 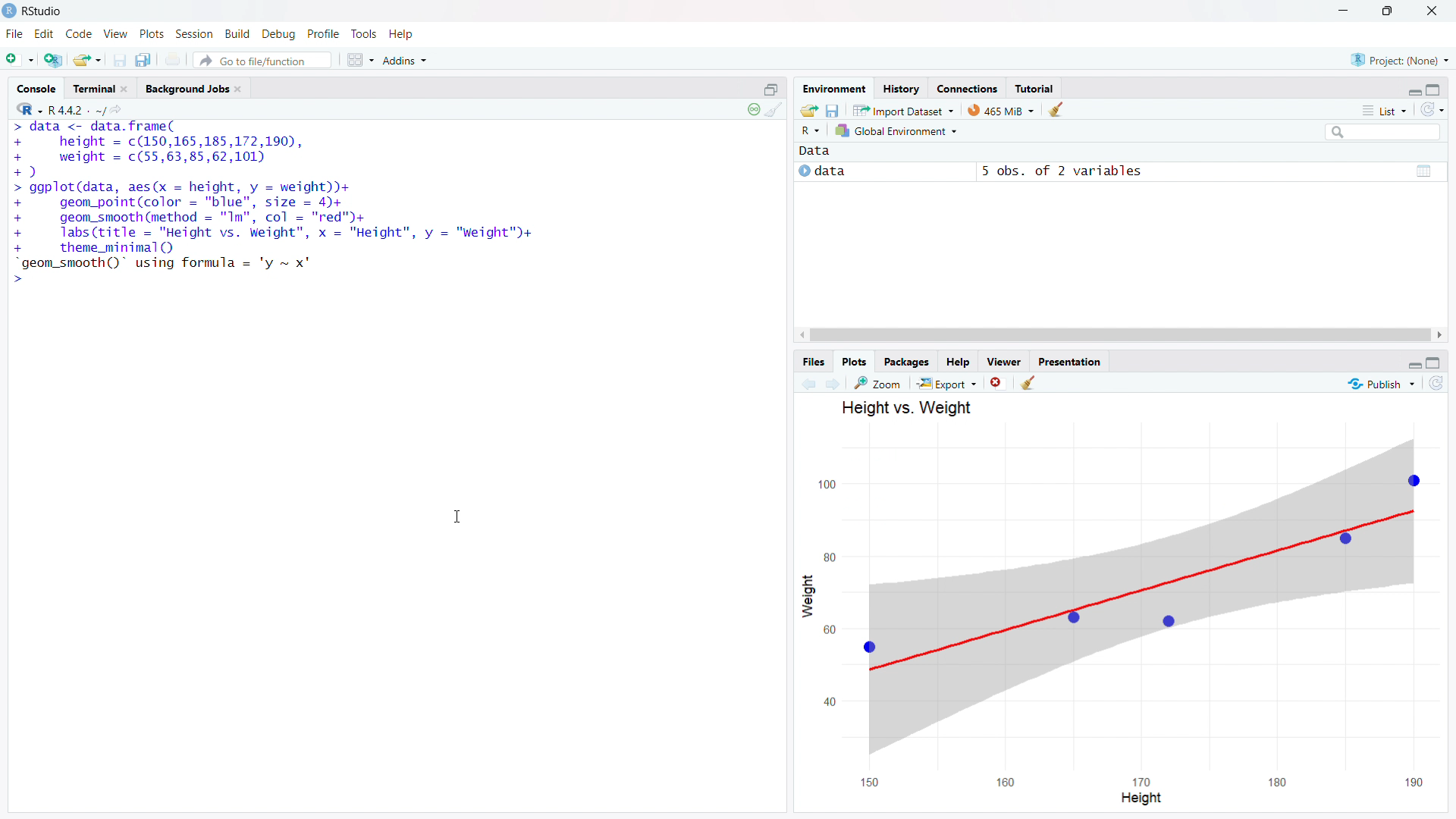 What do you see at coordinates (814, 152) in the screenshot?
I see `data` at bounding box center [814, 152].